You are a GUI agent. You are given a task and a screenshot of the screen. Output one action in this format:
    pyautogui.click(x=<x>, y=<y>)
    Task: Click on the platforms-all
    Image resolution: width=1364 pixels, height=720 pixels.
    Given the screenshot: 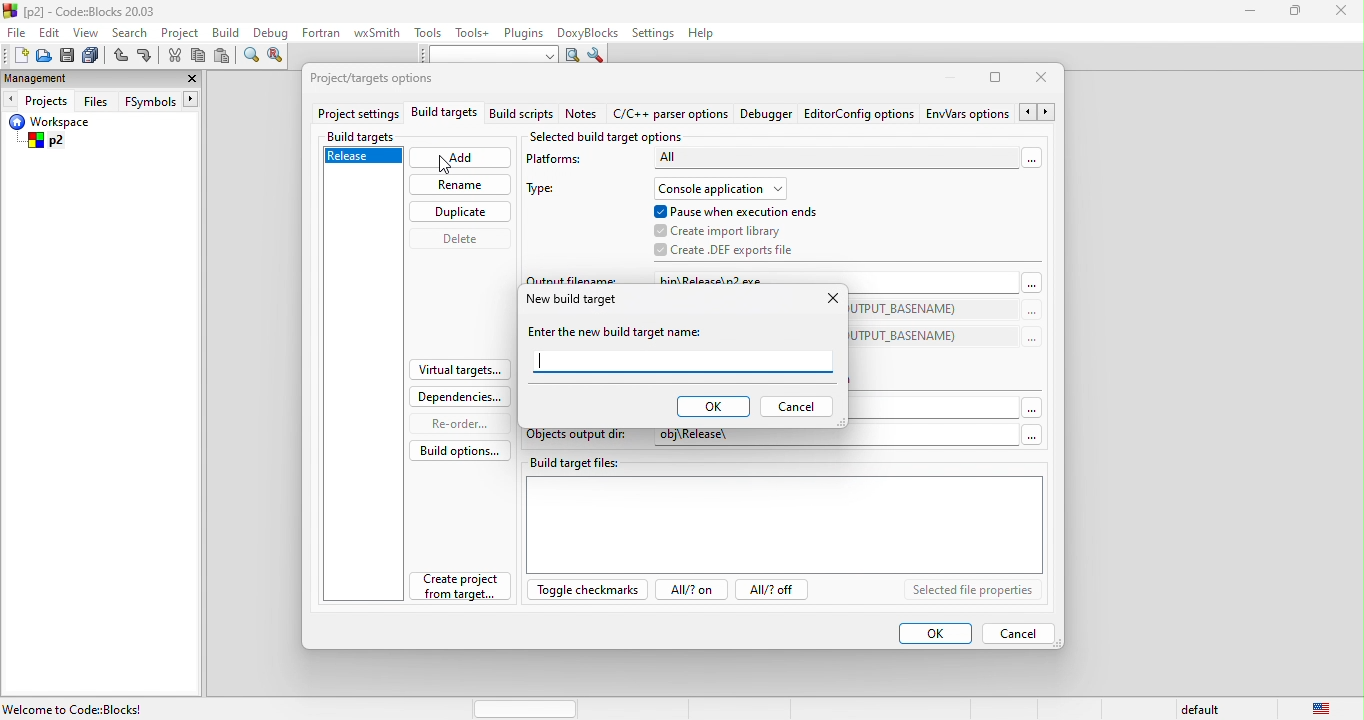 What is the action you would take?
    pyautogui.click(x=788, y=163)
    